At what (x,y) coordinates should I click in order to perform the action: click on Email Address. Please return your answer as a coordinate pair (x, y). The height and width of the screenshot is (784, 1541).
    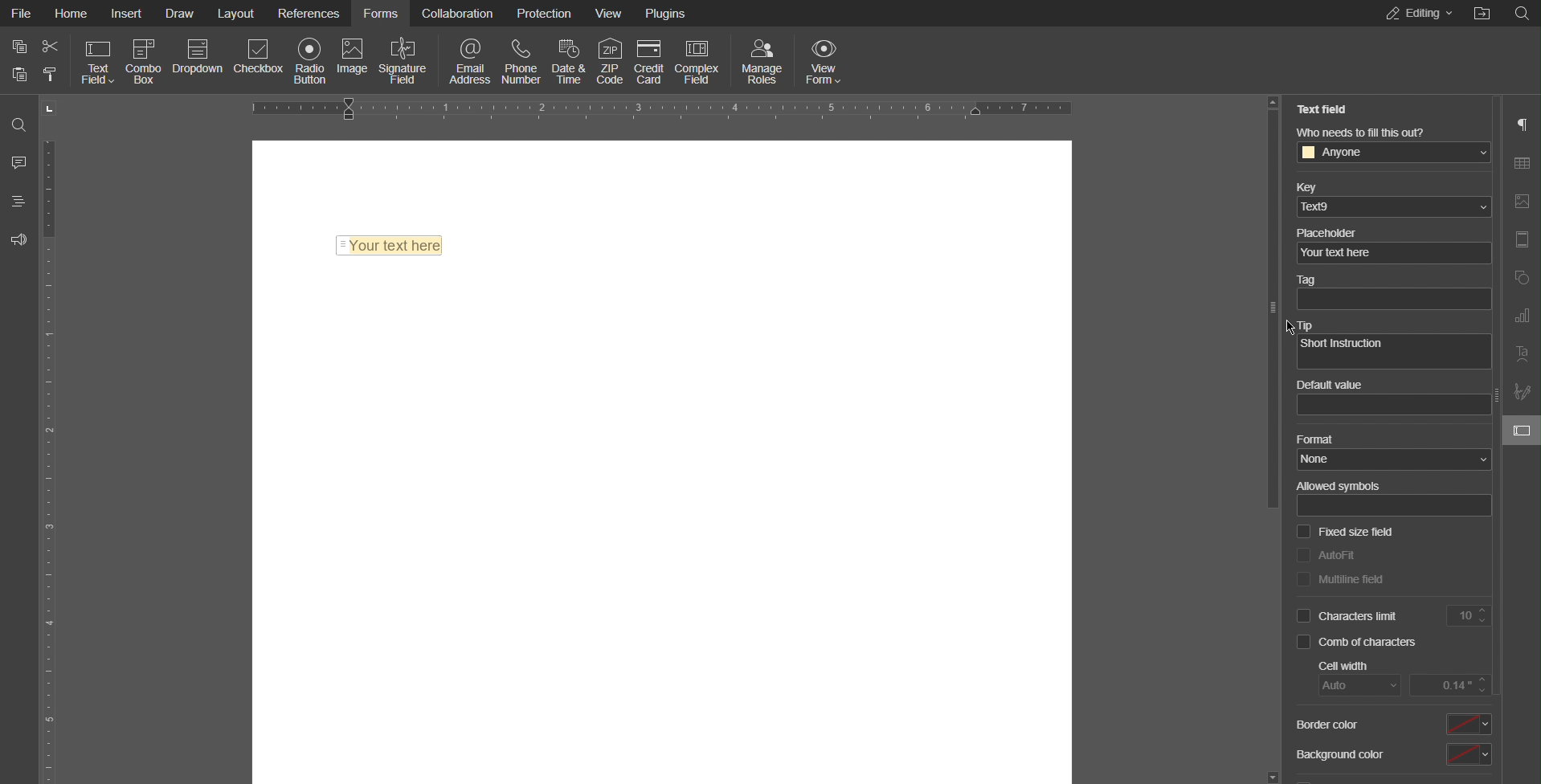
    Looking at the image, I should click on (468, 60).